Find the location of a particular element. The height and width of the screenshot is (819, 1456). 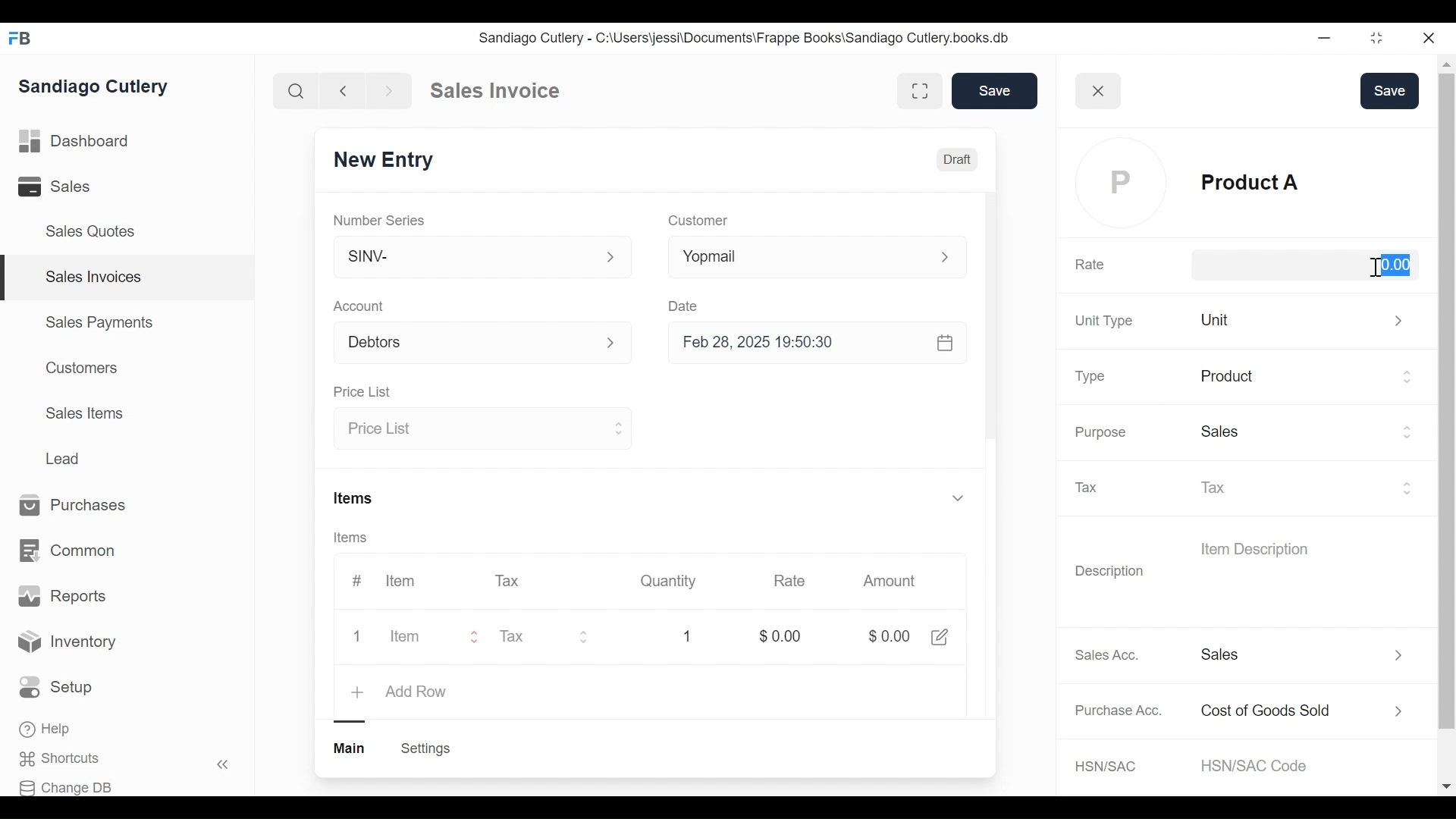

Setup is located at coordinates (56, 687).